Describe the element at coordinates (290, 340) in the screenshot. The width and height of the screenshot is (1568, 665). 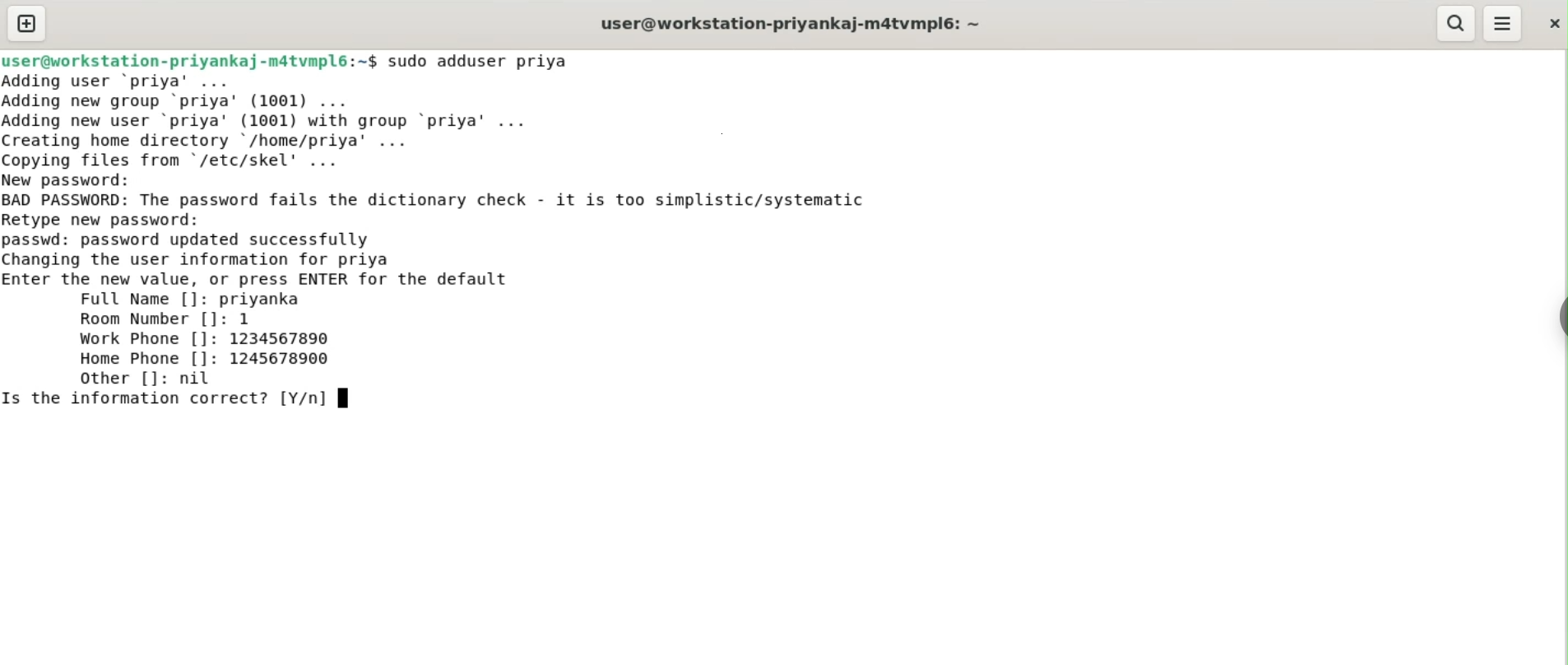
I see `1234567890` at that location.